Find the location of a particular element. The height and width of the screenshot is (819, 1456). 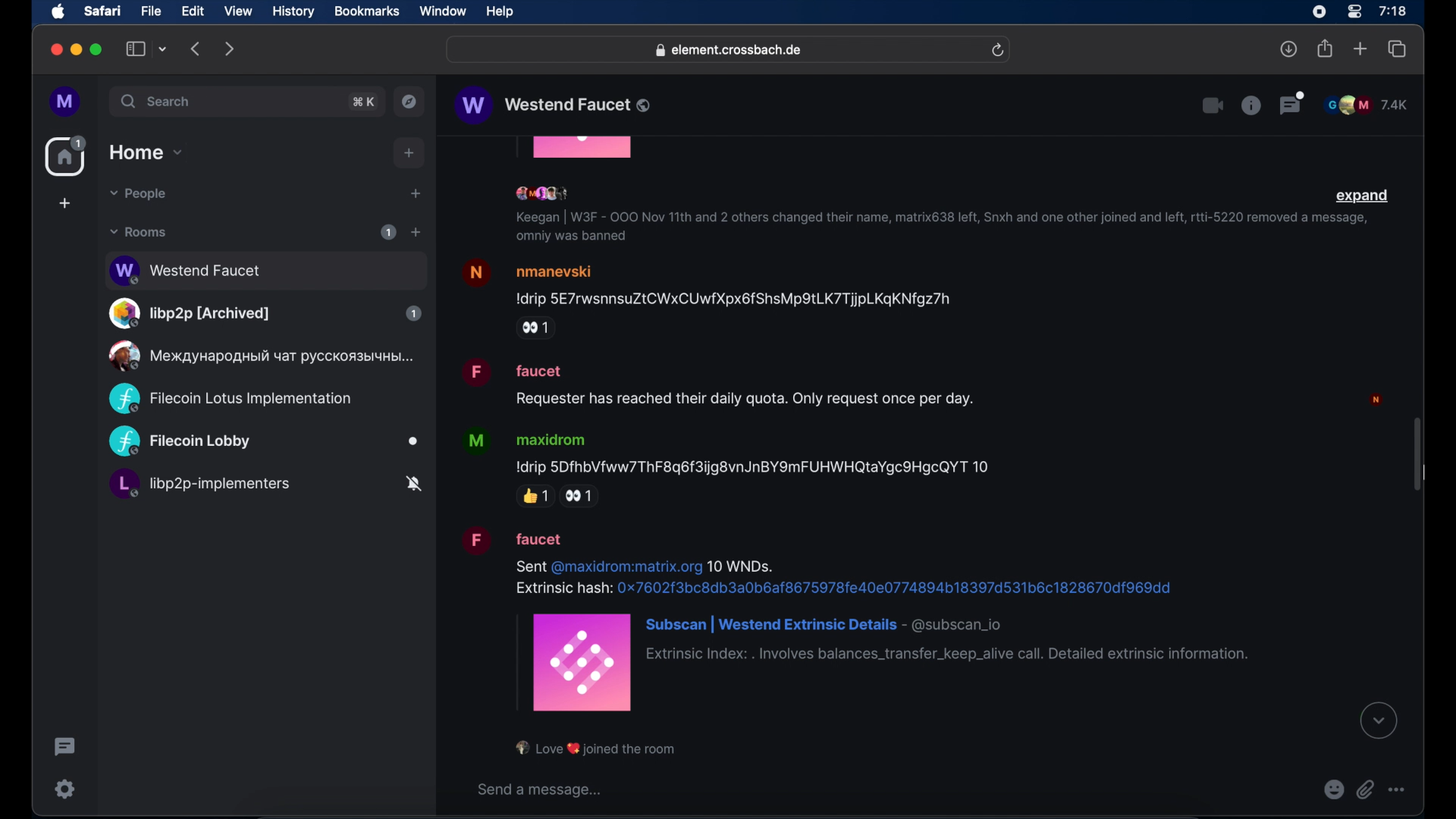

1 is located at coordinates (388, 232).